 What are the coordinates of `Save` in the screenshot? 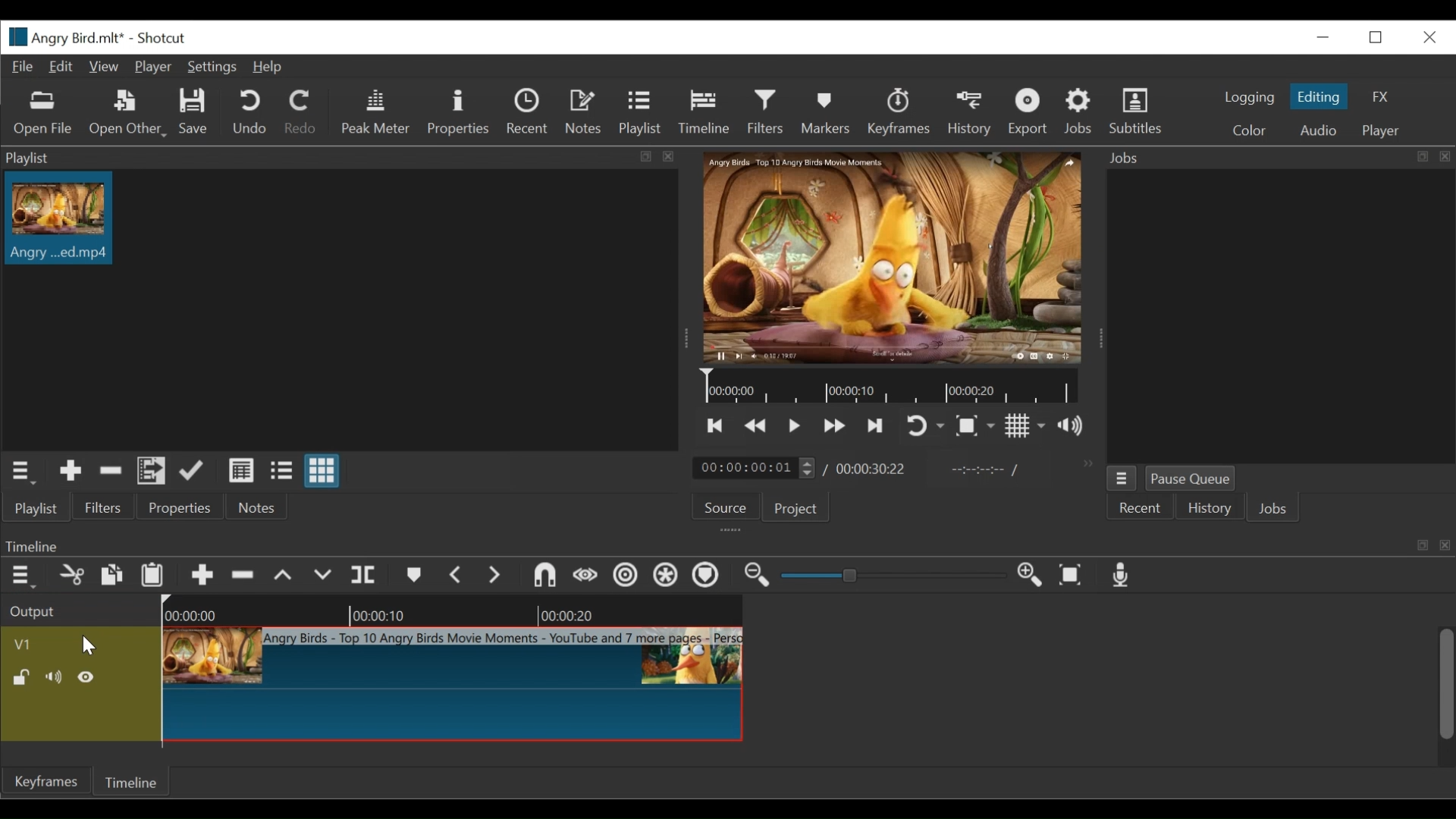 It's located at (197, 114).